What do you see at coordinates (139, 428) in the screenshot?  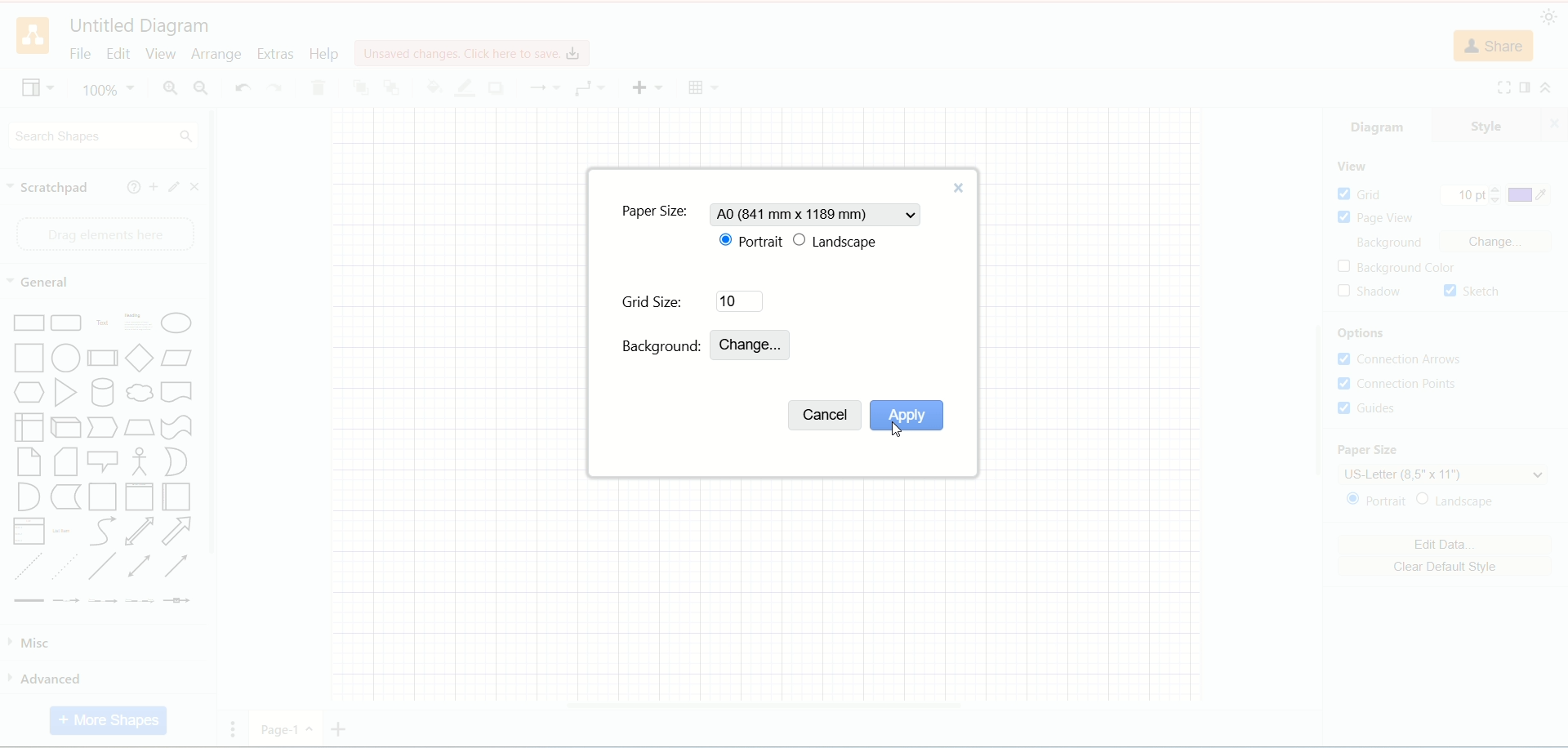 I see `Trapezoid` at bounding box center [139, 428].